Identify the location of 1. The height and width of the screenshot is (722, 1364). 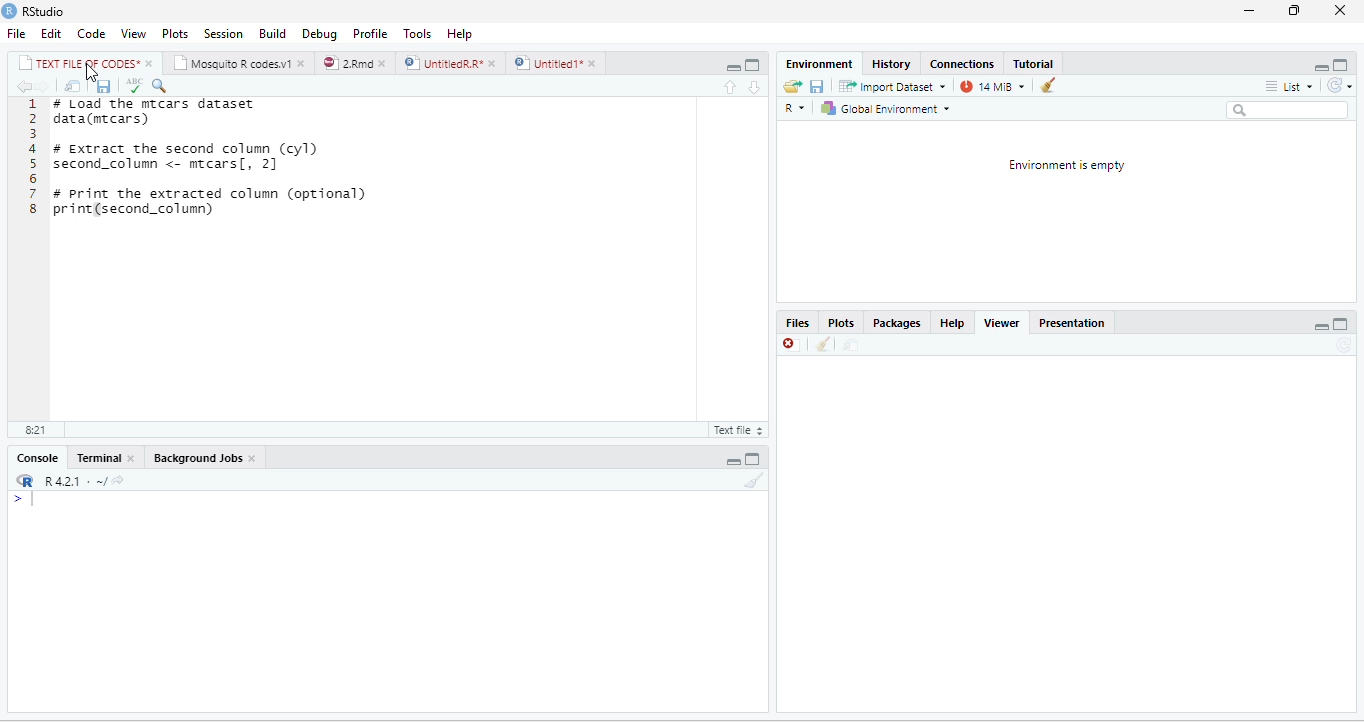
(33, 104).